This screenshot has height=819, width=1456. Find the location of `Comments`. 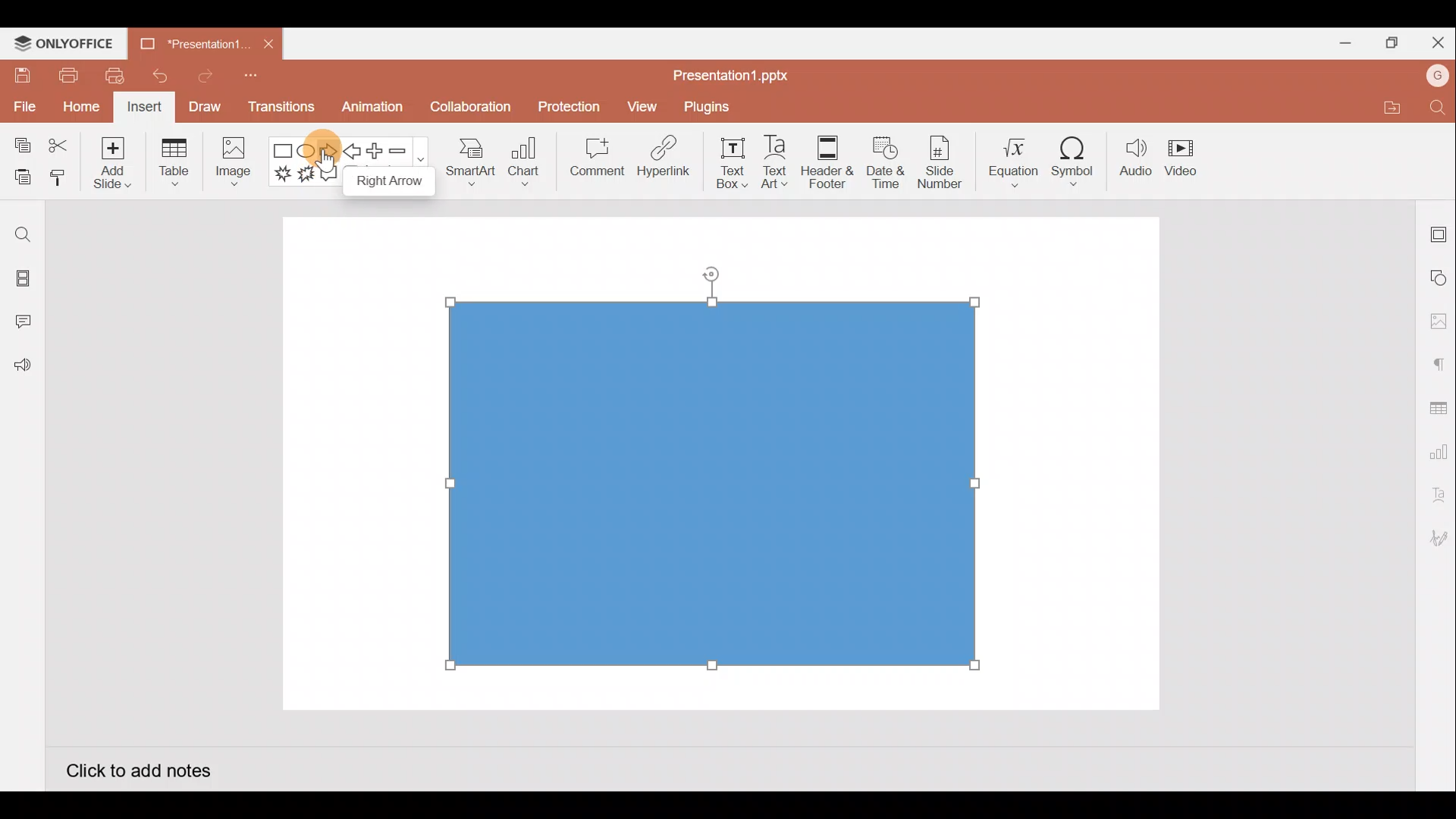

Comments is located at coordinates (27, 323).